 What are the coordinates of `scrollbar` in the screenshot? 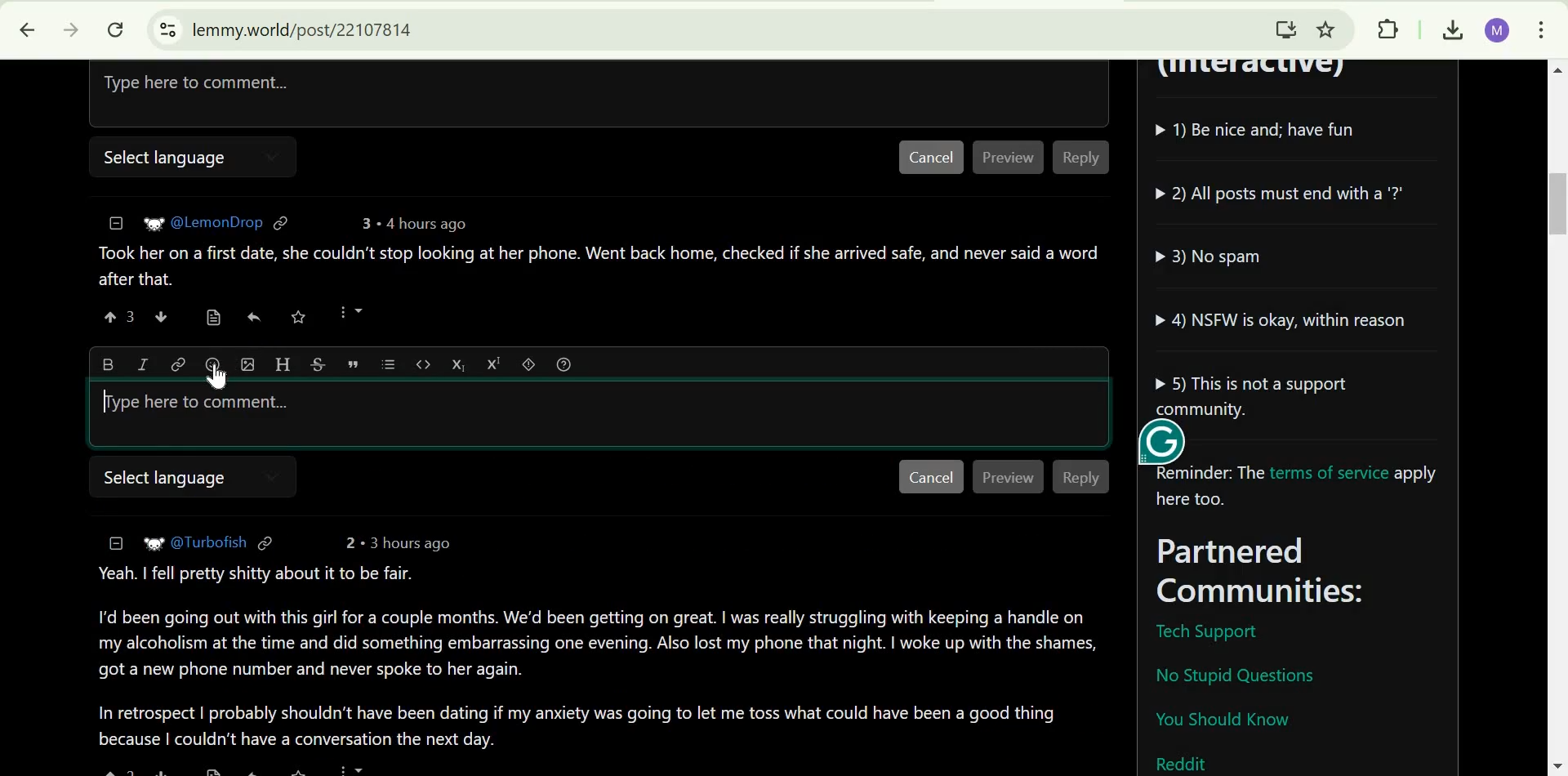 It's located at (1555, 418).